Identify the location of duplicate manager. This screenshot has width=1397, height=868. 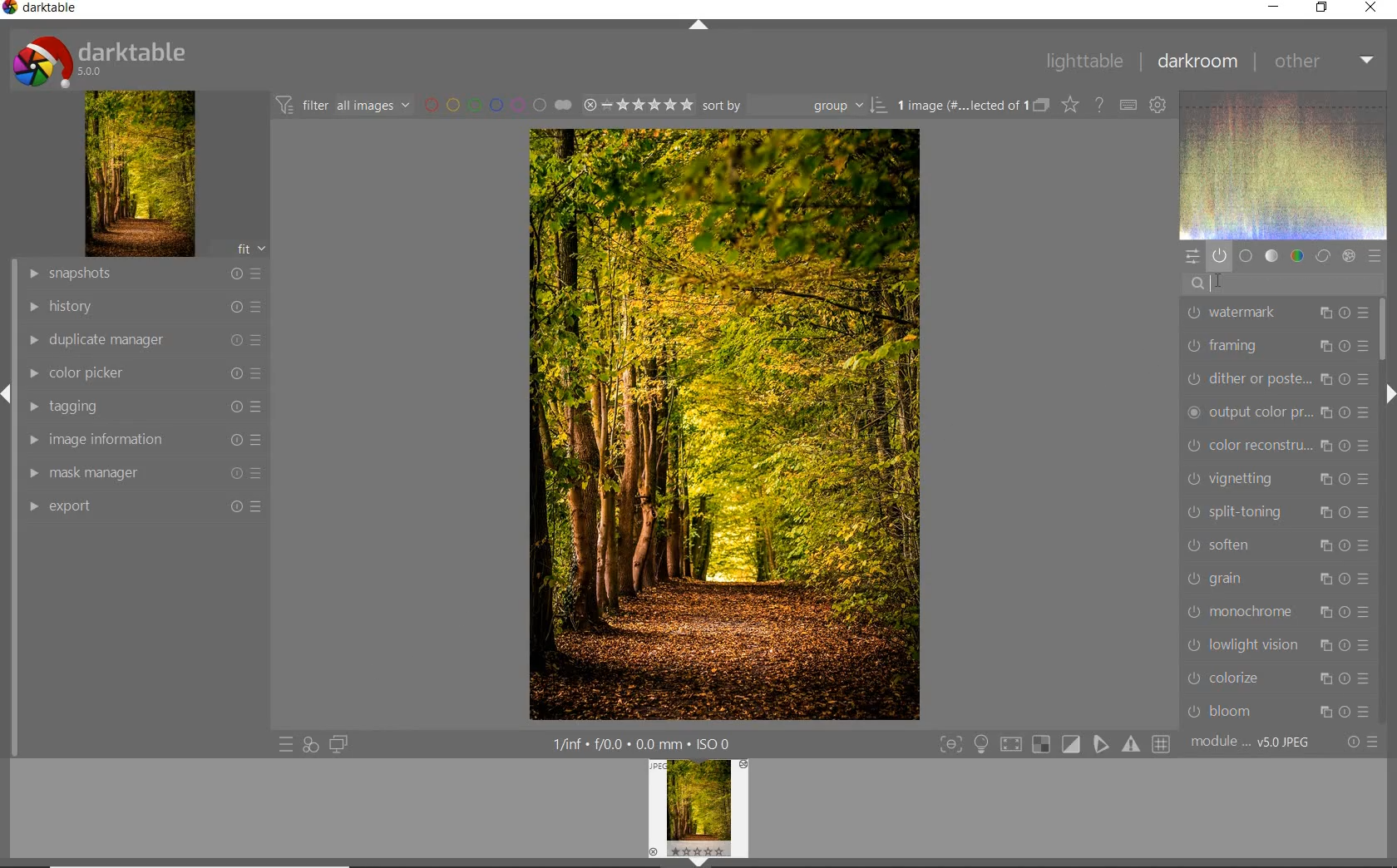
(146, 340).